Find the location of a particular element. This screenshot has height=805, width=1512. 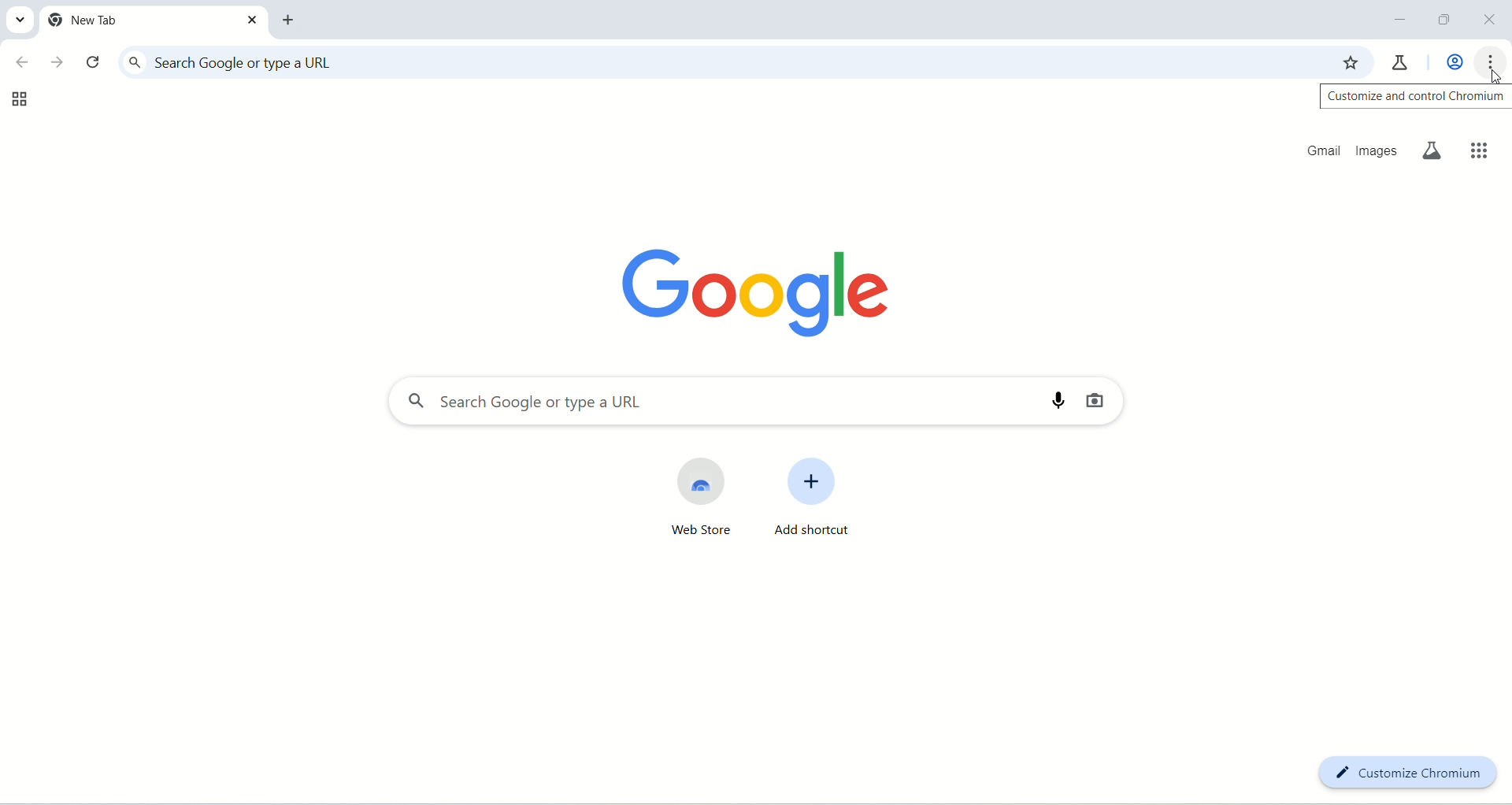

close is located at coordinates (1491, 20).